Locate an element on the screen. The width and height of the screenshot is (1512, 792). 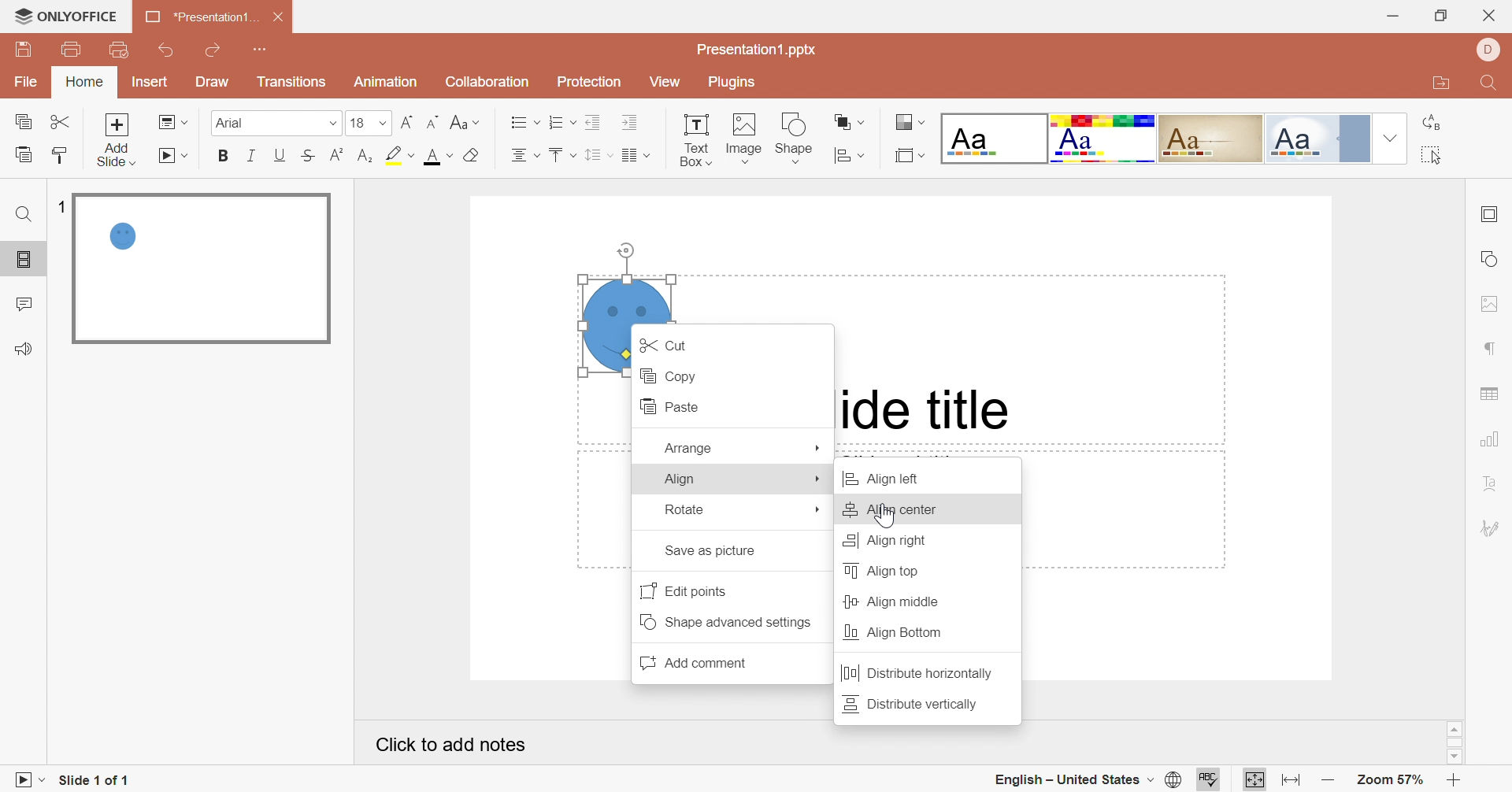
table settings is located at coordinates (1496, 393).